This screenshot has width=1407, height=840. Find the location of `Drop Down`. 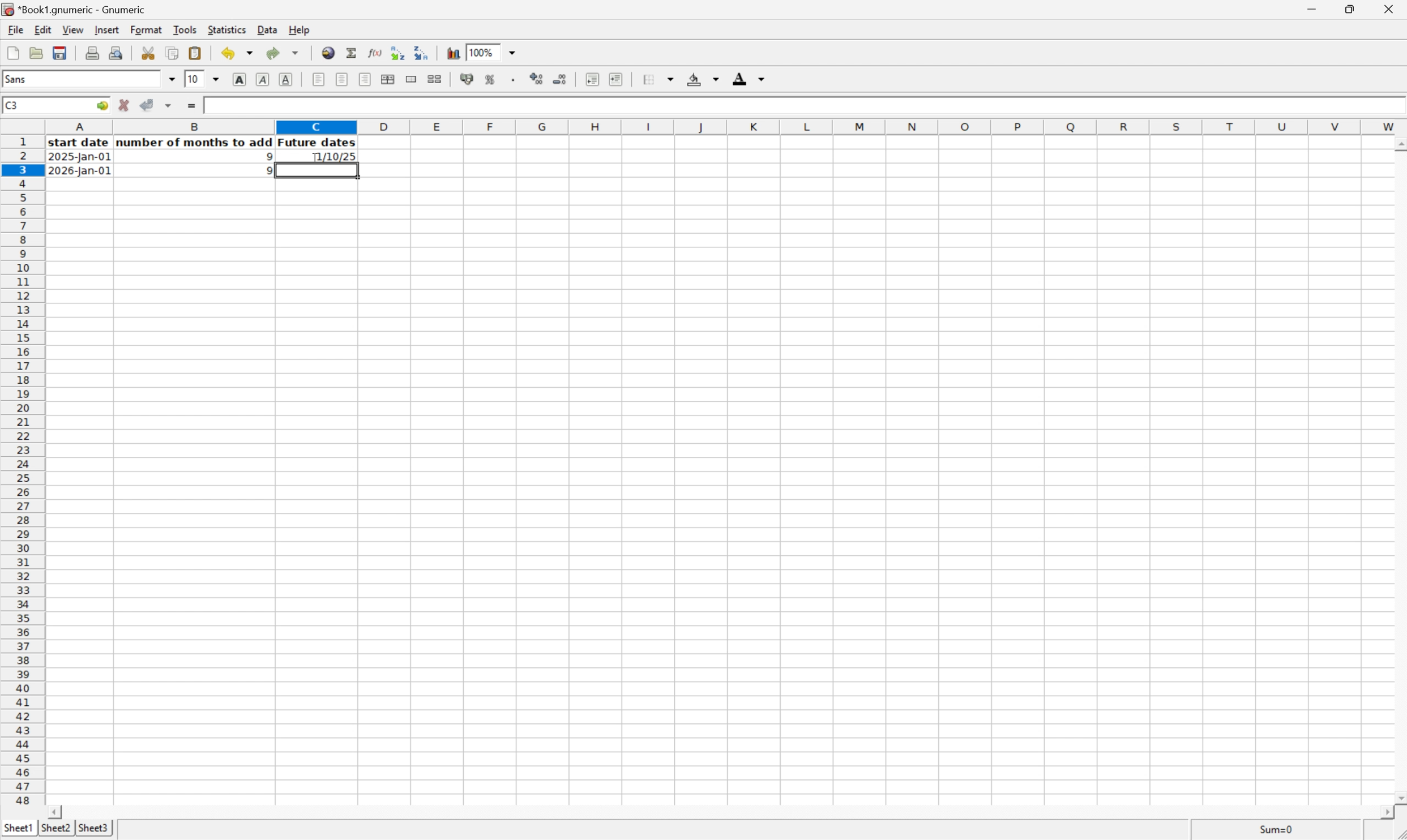

Drop Down is located at coordinates (216, 80).